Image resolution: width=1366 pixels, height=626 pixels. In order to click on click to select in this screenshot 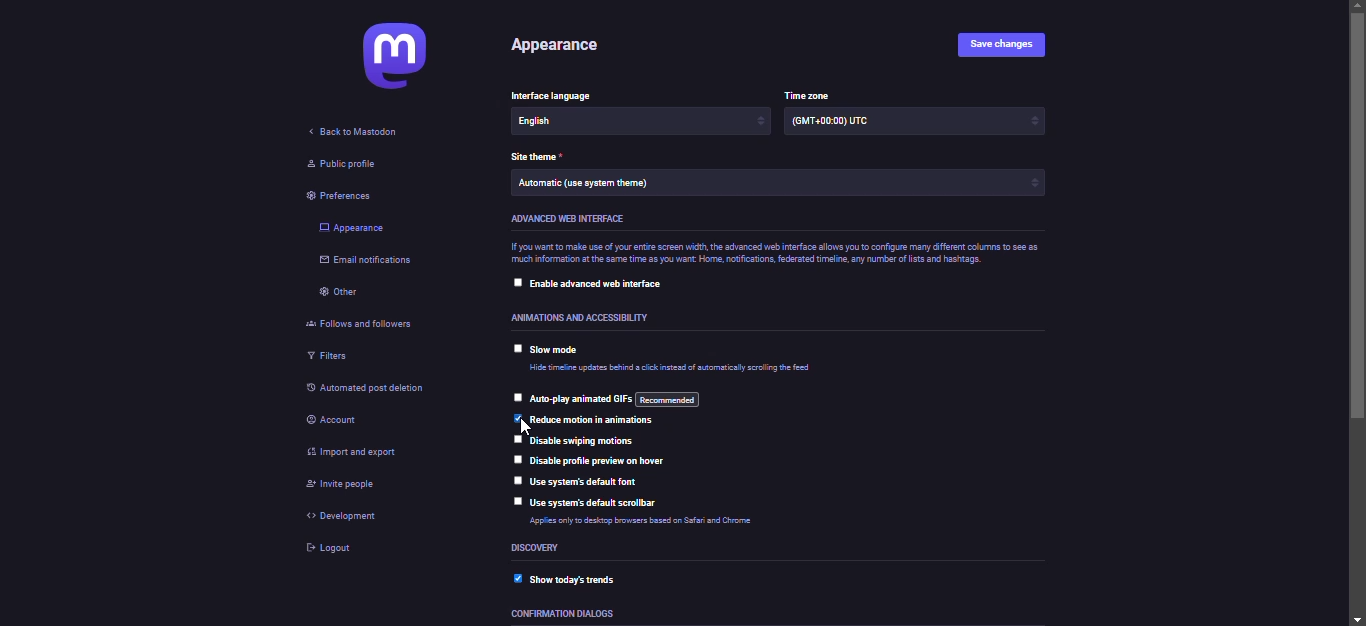, I will do `click(516, 282)`.